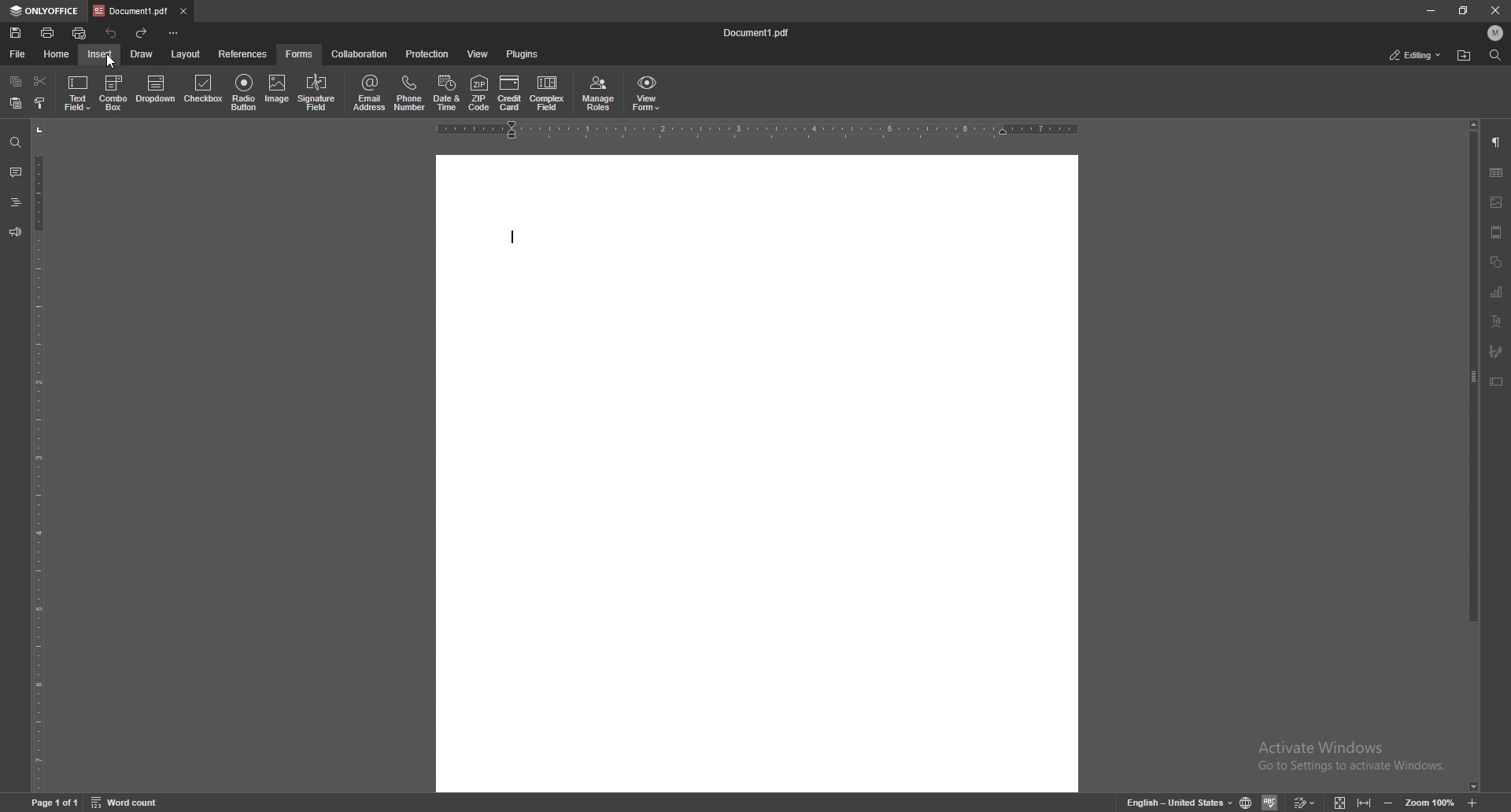  Describe the element at coordinates (1496, 382) in the screenshot. I see `text box` at that location.